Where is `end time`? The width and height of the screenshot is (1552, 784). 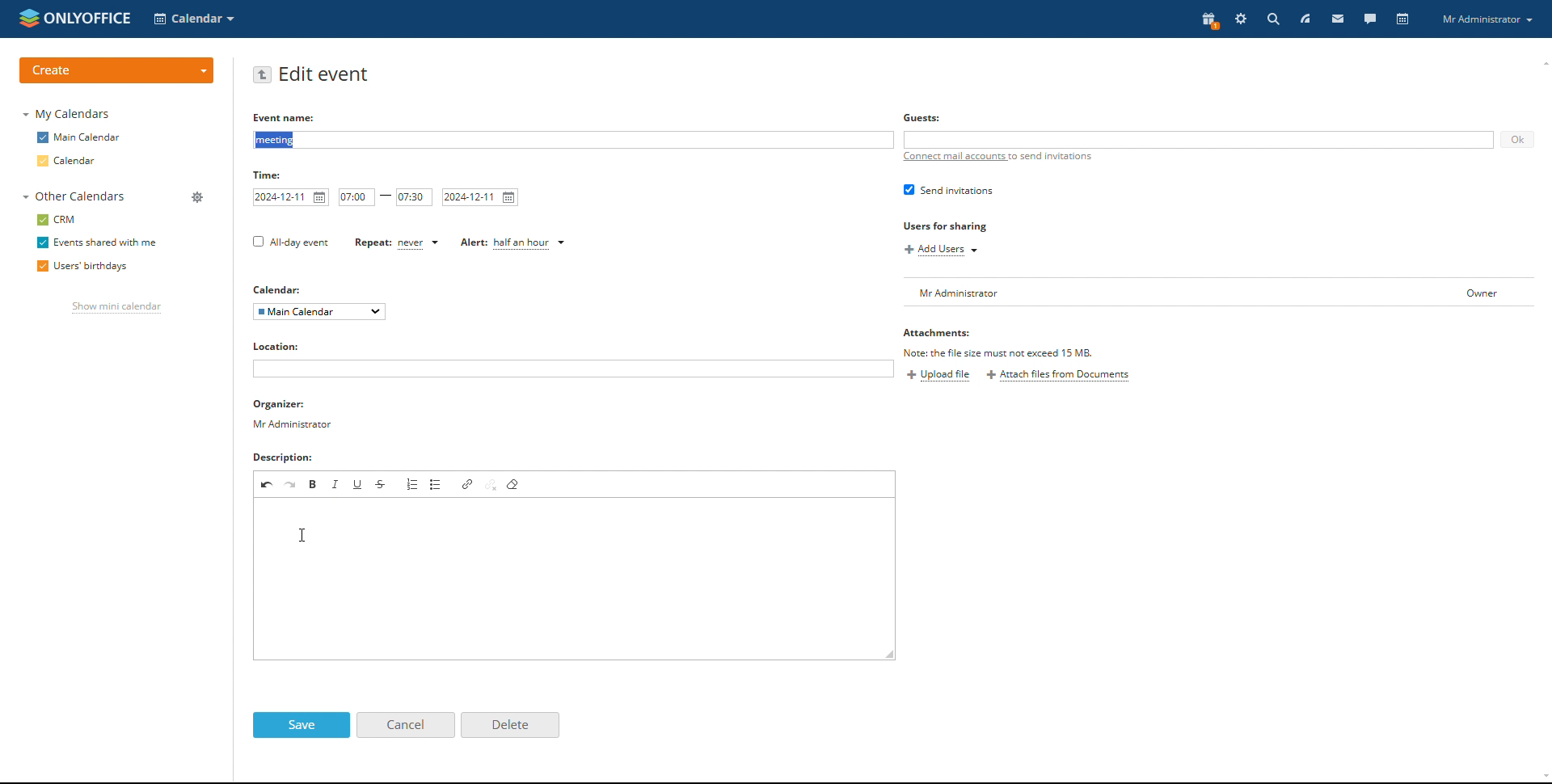
end time is located at coordinates (414, 196).